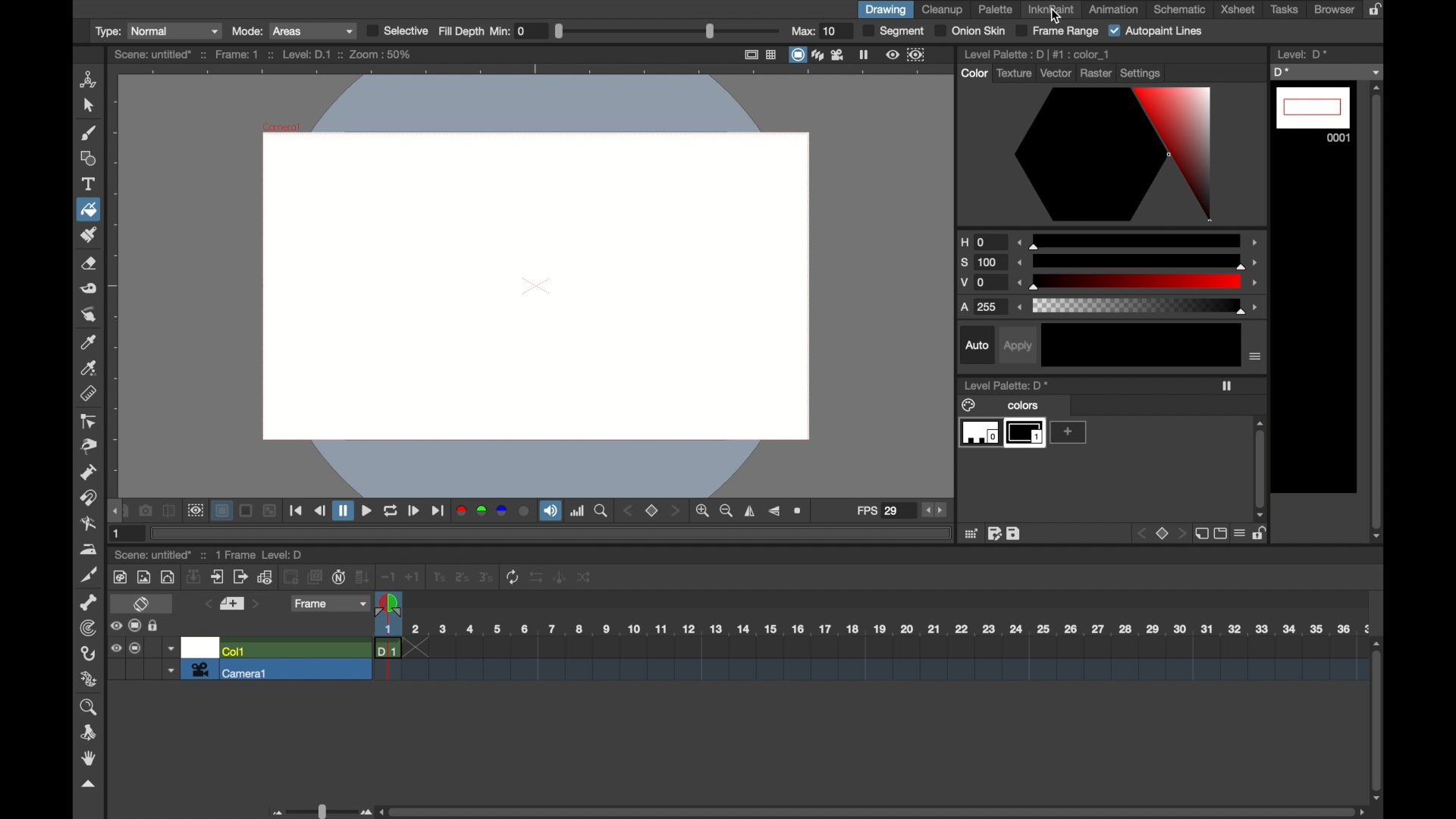 This screenshot has height=819, width=1456. What do you see at coordinates (88, 654) in the screenshot?
I see `hook tool` at bounding box center [88, 654].